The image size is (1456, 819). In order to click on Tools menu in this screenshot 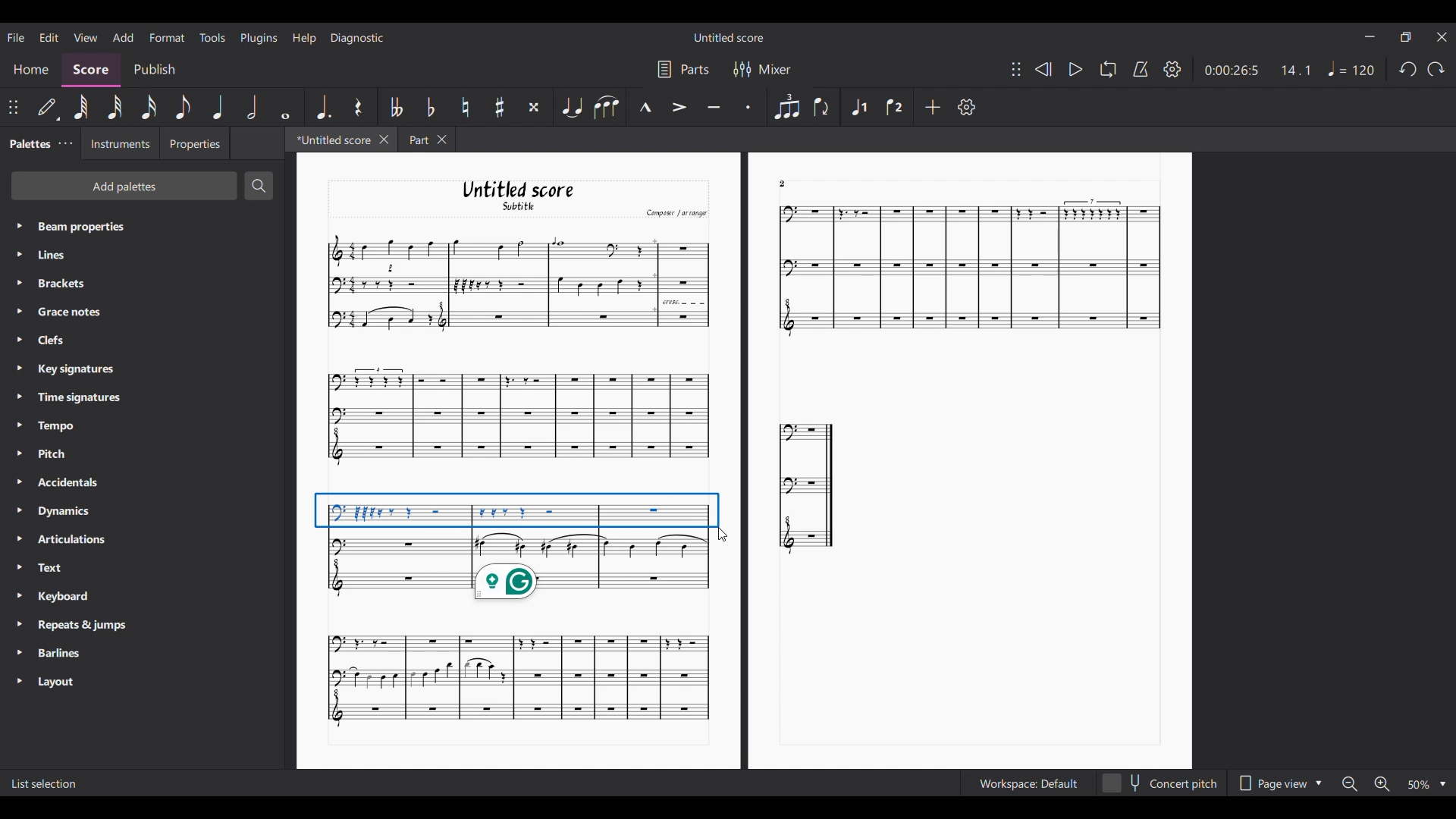, I will do `click(212, 37)`.